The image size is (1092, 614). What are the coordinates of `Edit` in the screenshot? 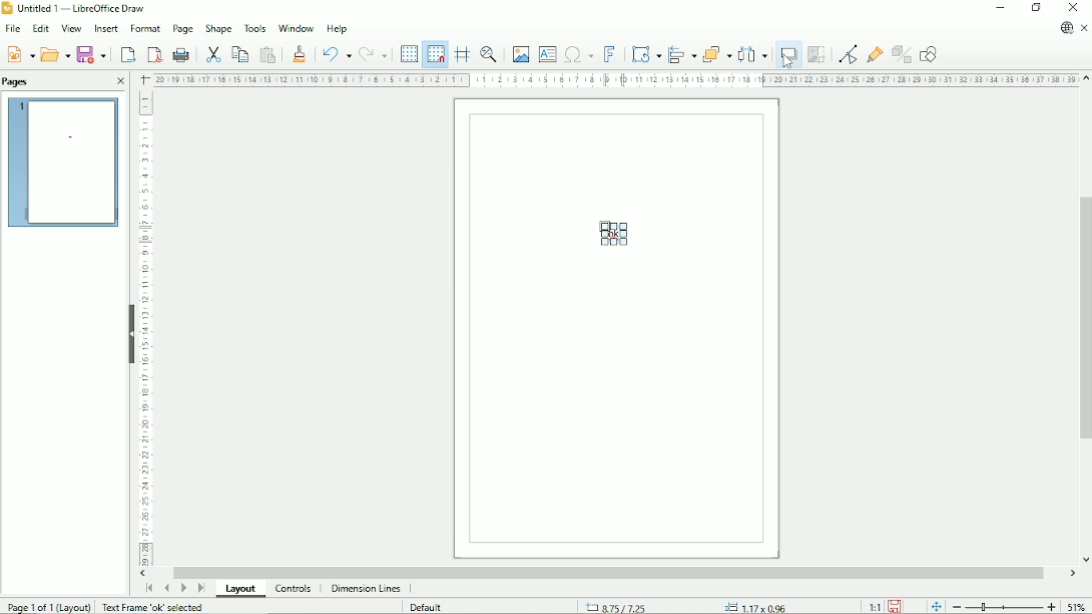 It's located at (40, 28).